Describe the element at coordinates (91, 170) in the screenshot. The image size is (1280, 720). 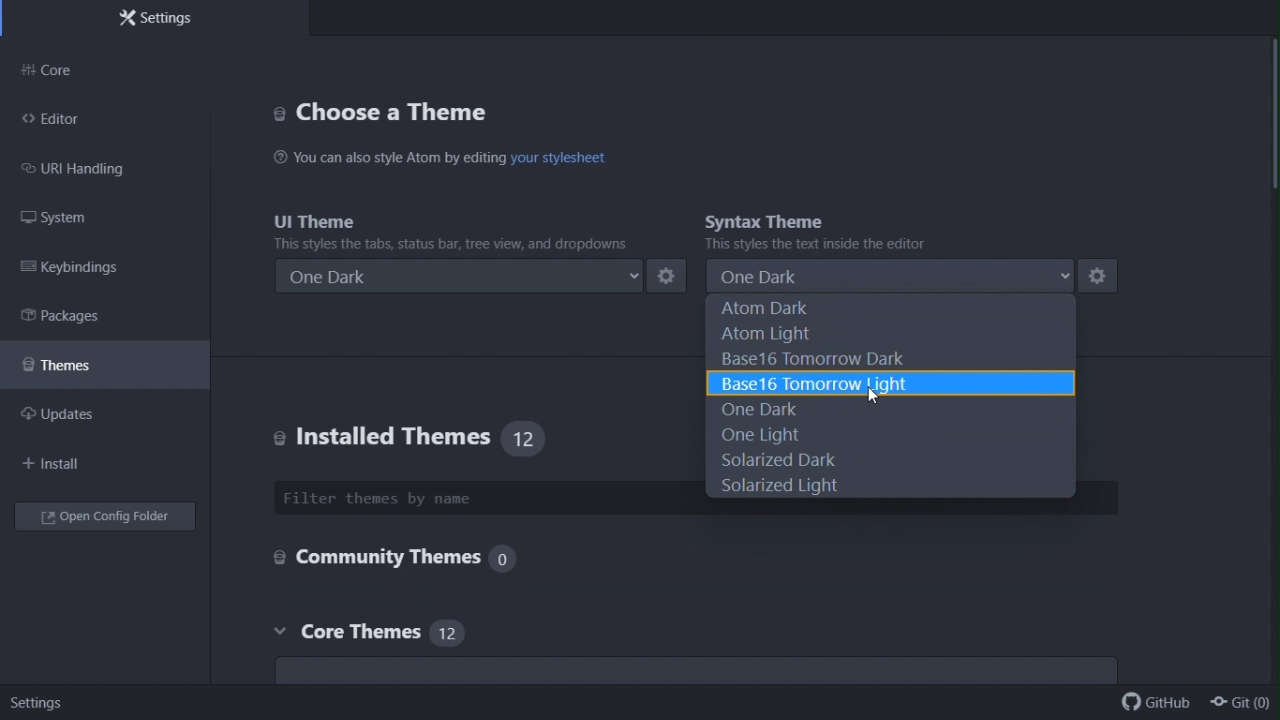
I see `URI handling` at that location.